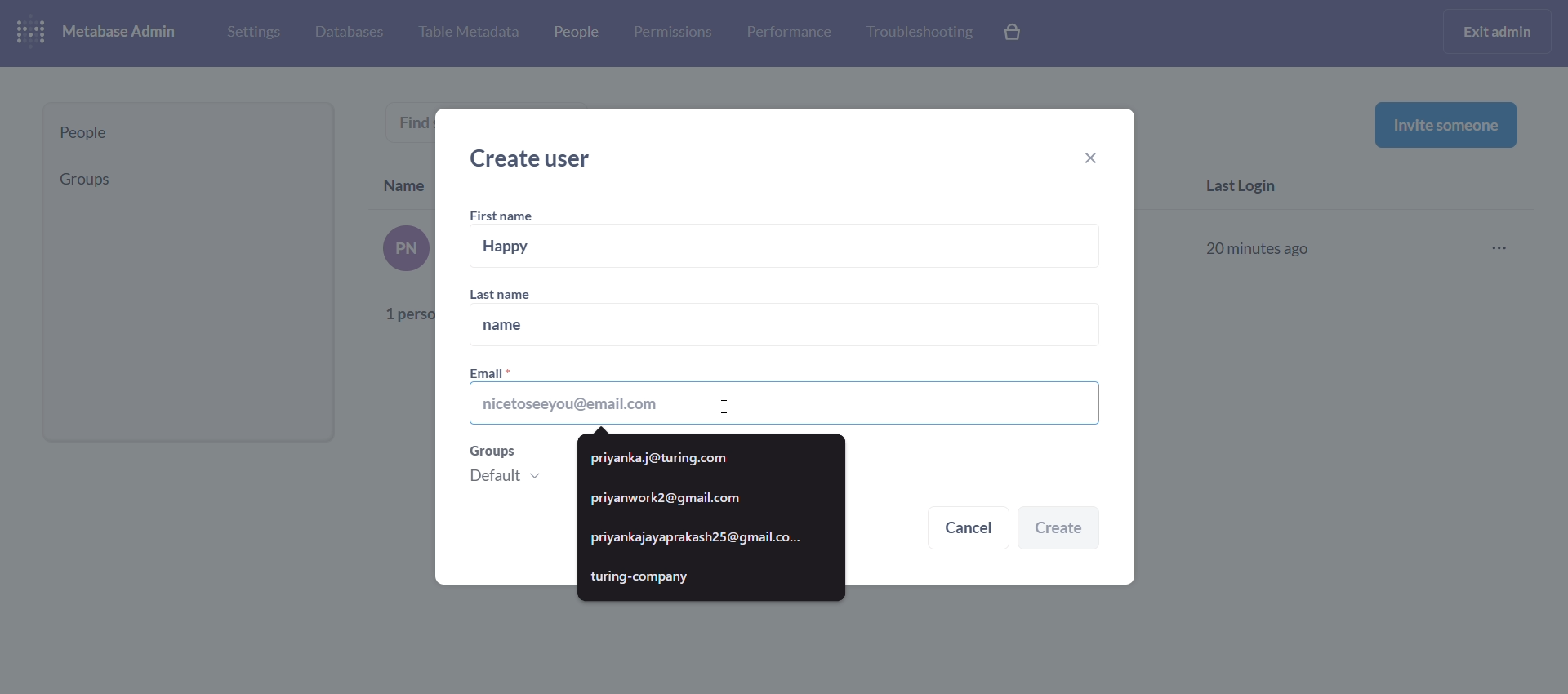  What do you see at coordinates (724, 405) in the screenshot?
I see `cursor` at bounding box center [724, 405].